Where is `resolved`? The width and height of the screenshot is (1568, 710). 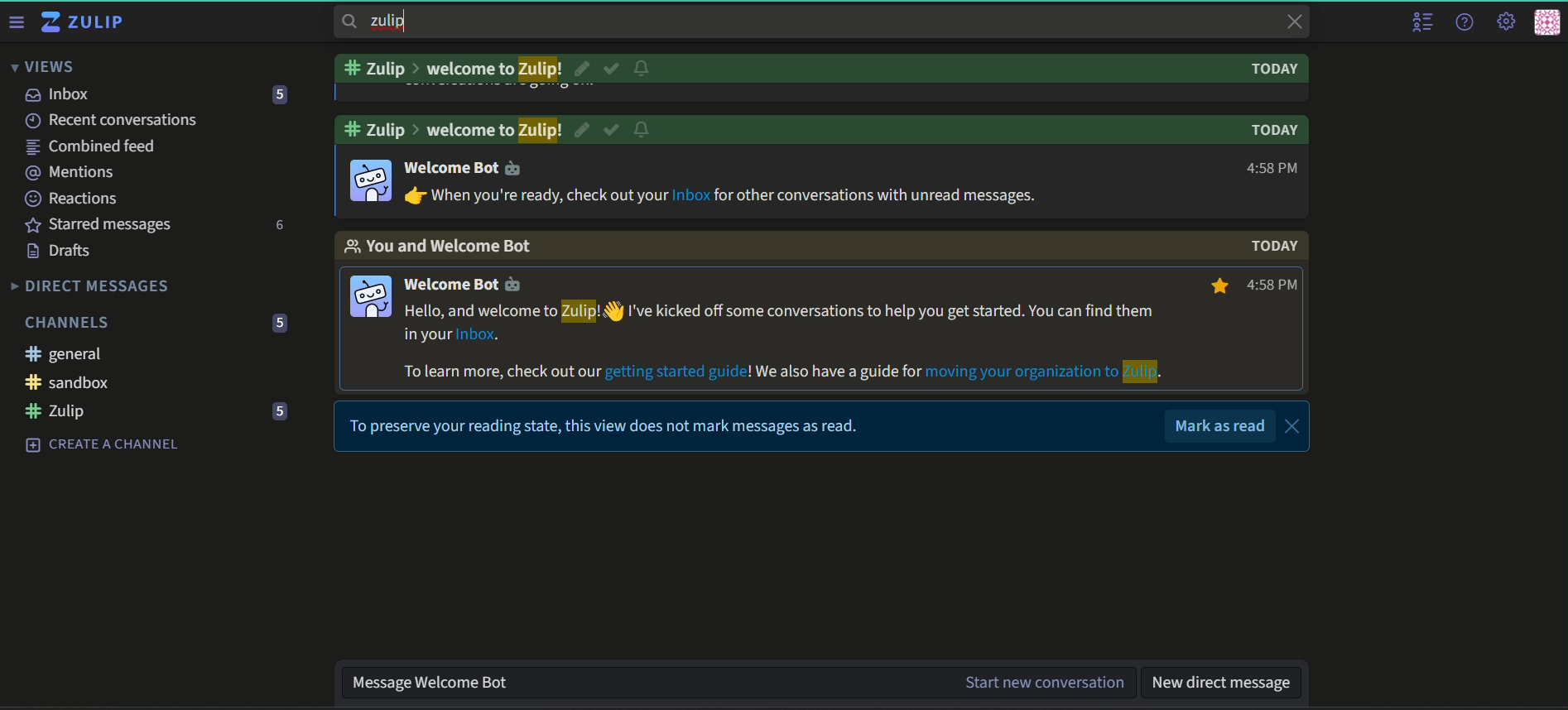 resolved is located at coordinates (613, 129).